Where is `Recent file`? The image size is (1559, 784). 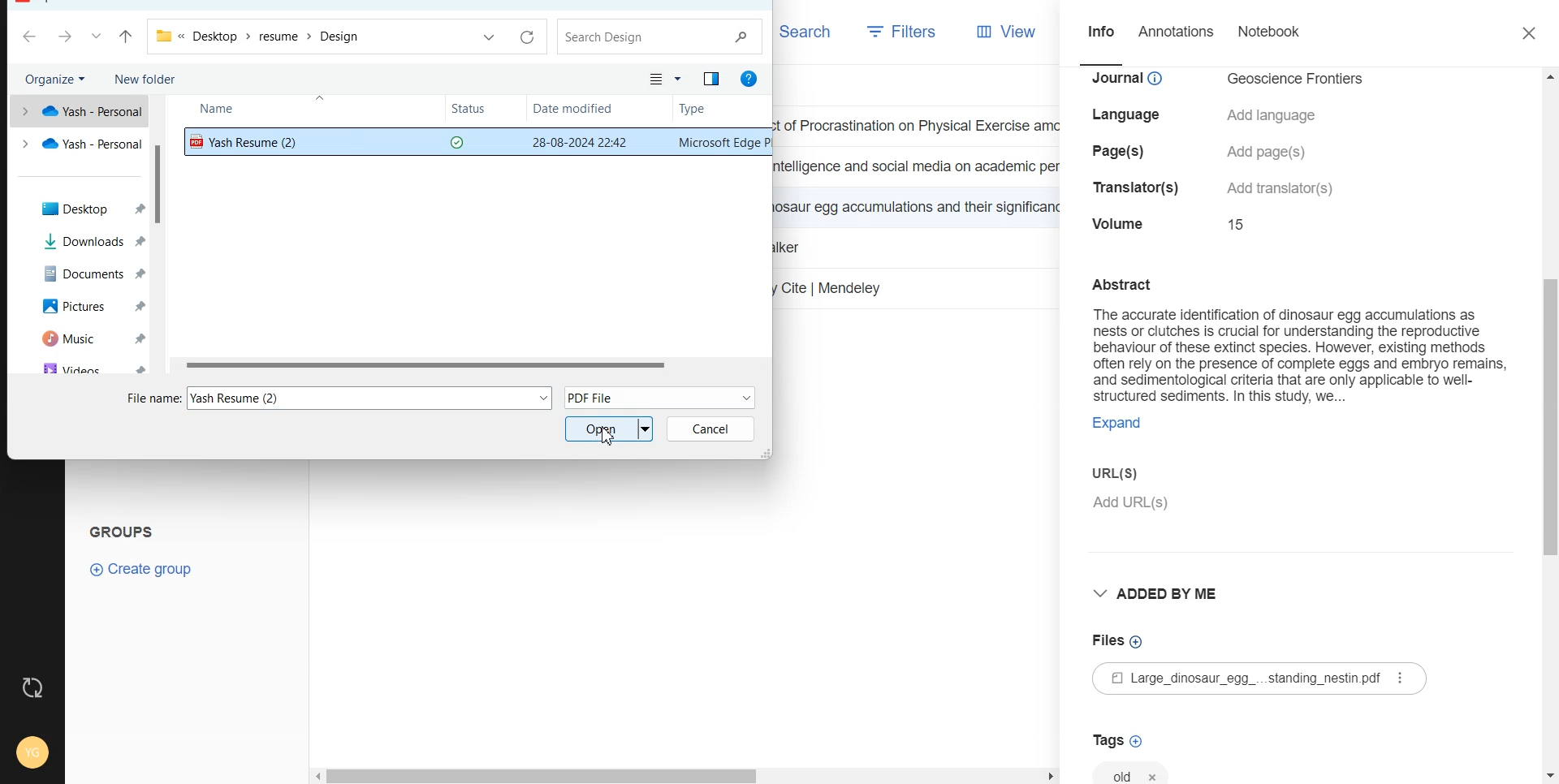
Recent file is located at coordinates (97, 38).